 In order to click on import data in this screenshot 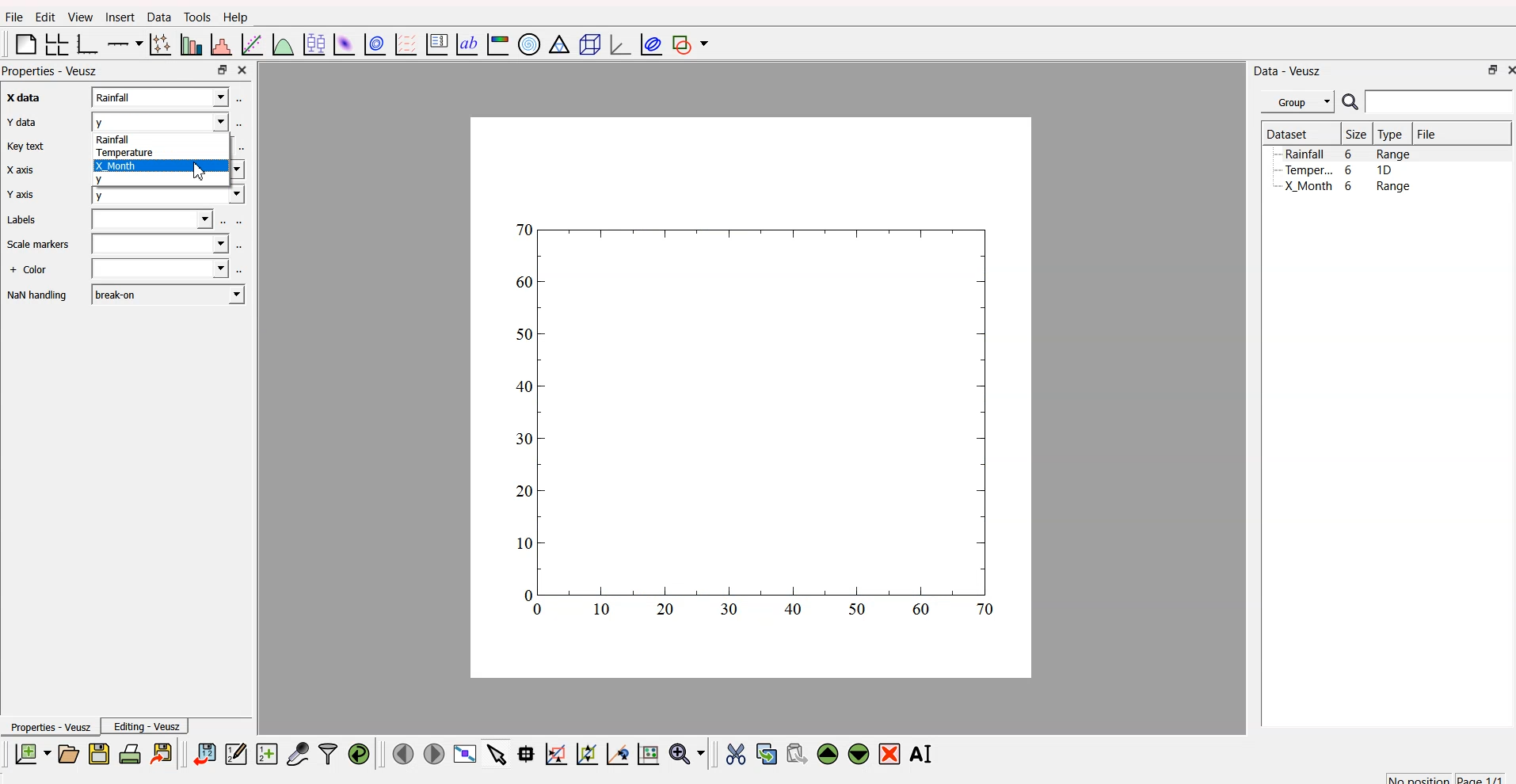, I will do `click(206, 755)`.